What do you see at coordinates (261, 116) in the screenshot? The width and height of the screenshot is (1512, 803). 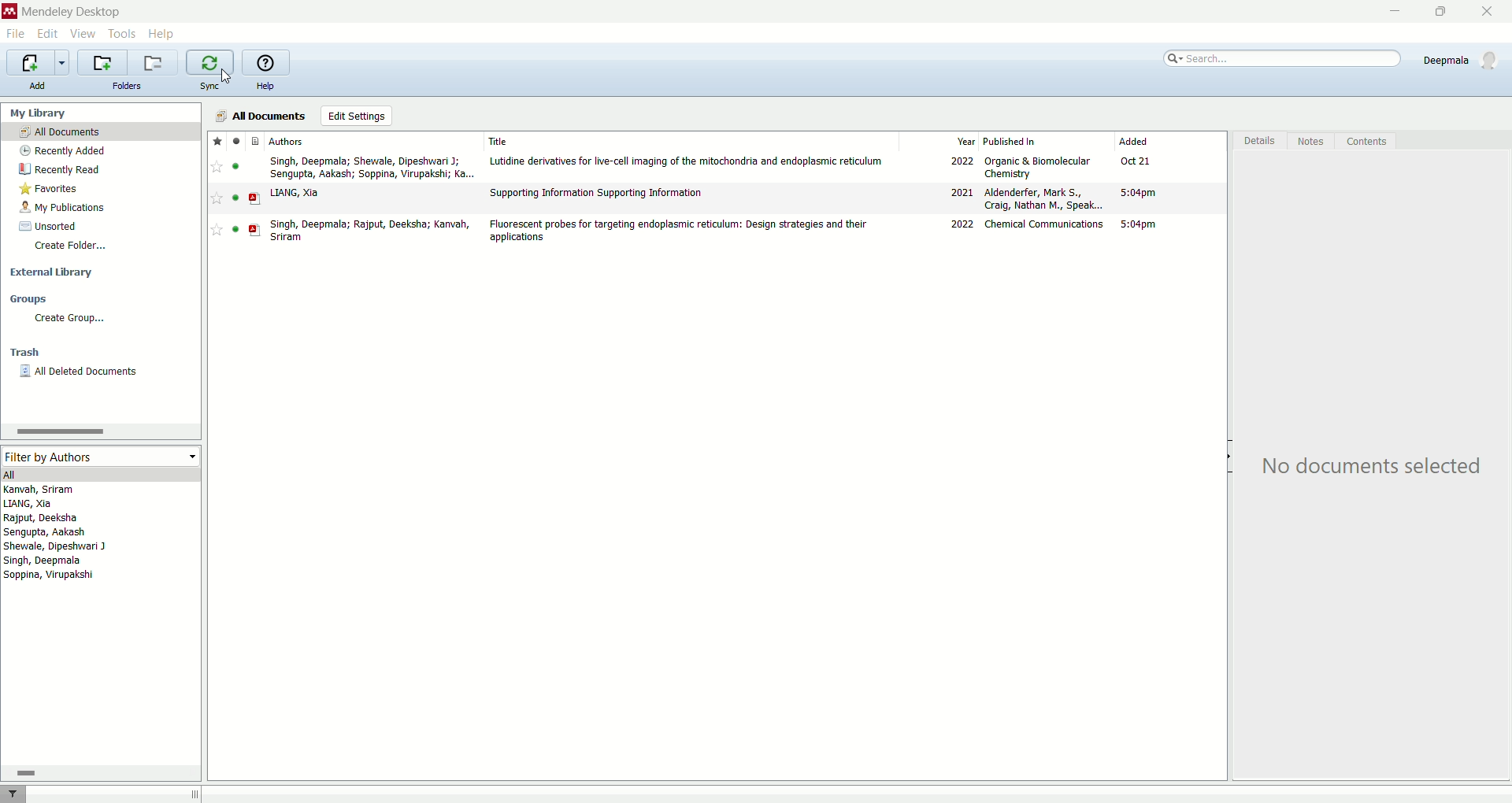 I see `all documents` at bounding box center [261, 116].